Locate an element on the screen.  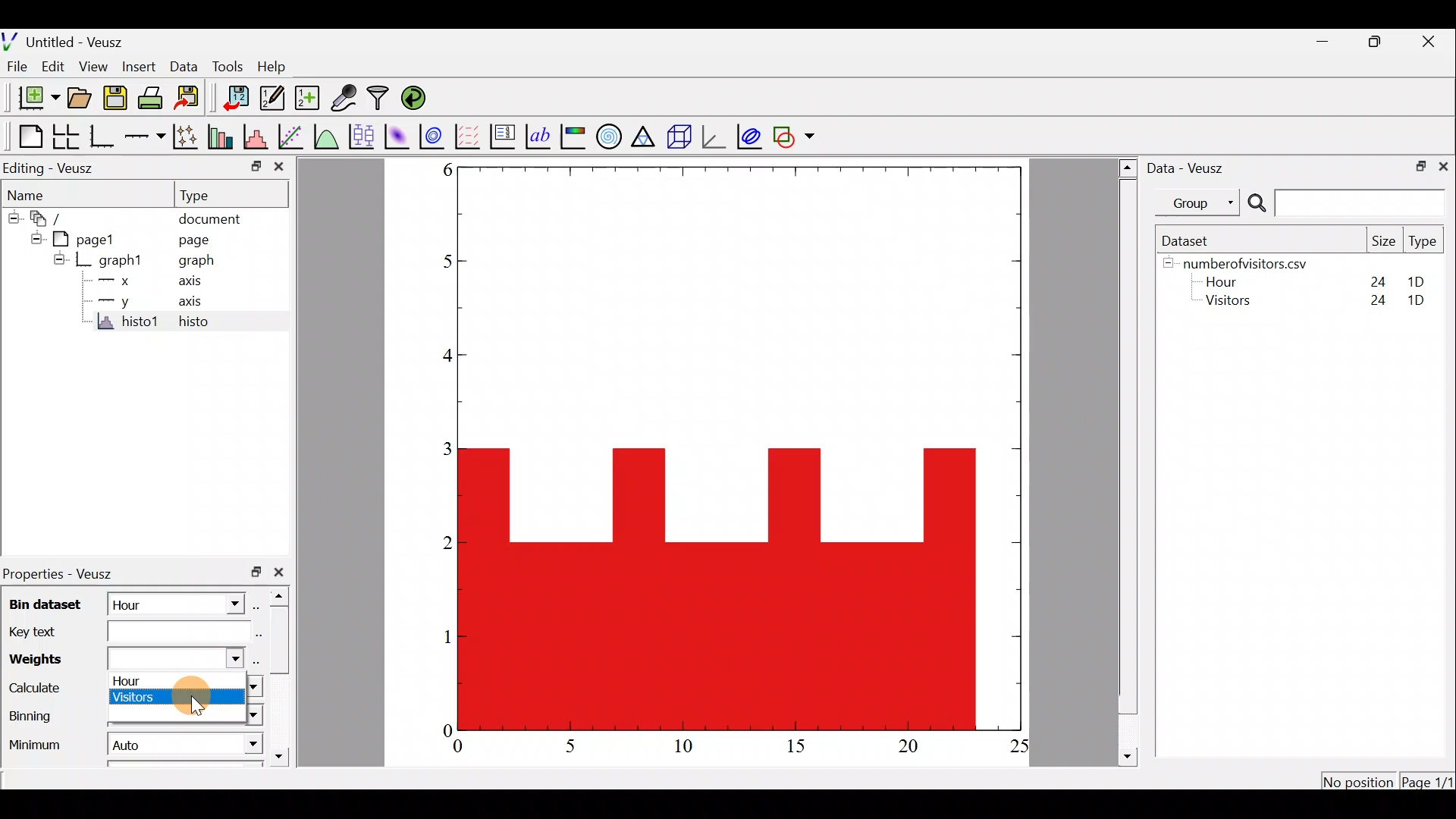
24 is located at coordinates (1374, 301).